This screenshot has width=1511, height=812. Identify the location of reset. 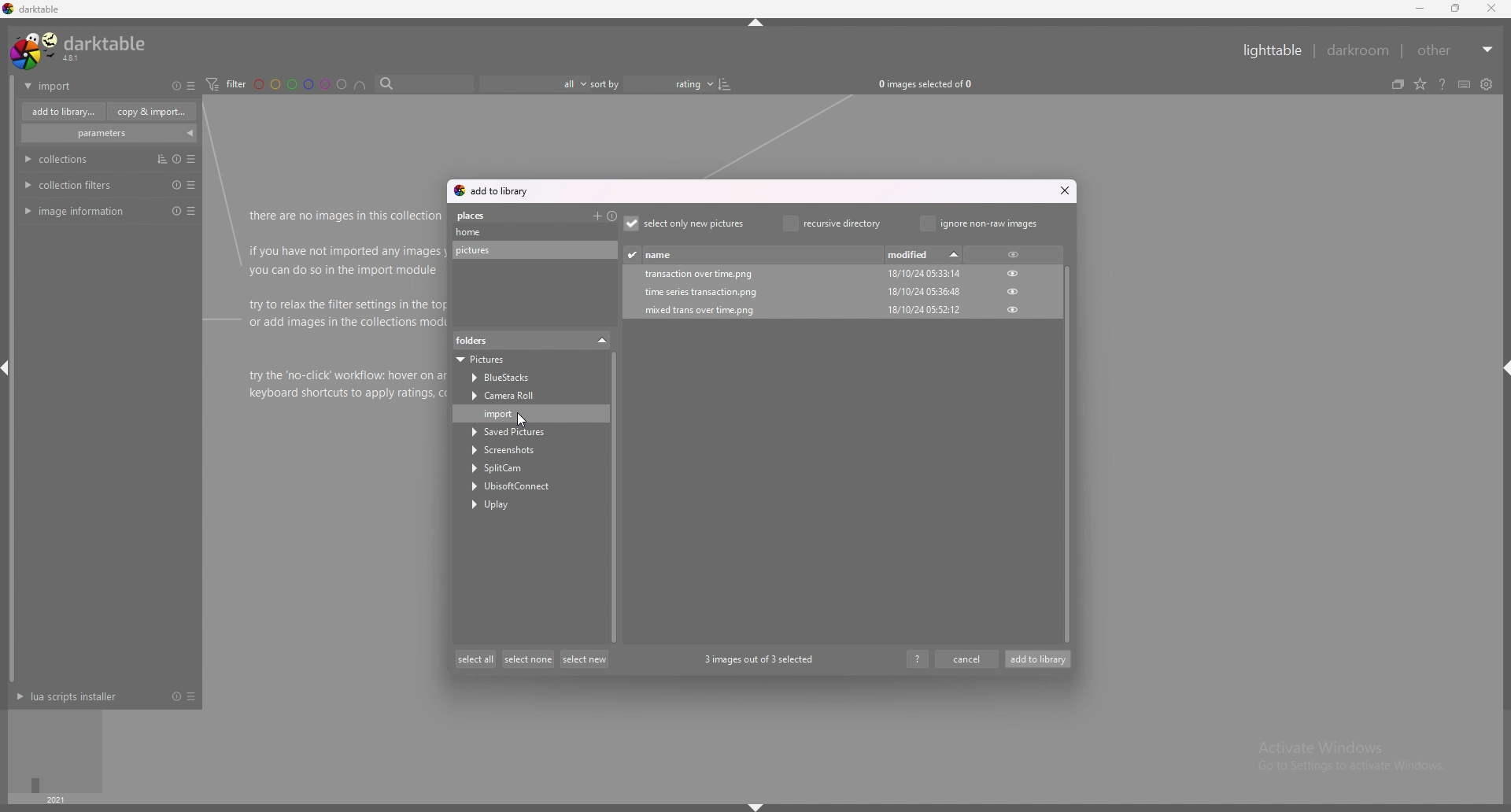
(177, 87).